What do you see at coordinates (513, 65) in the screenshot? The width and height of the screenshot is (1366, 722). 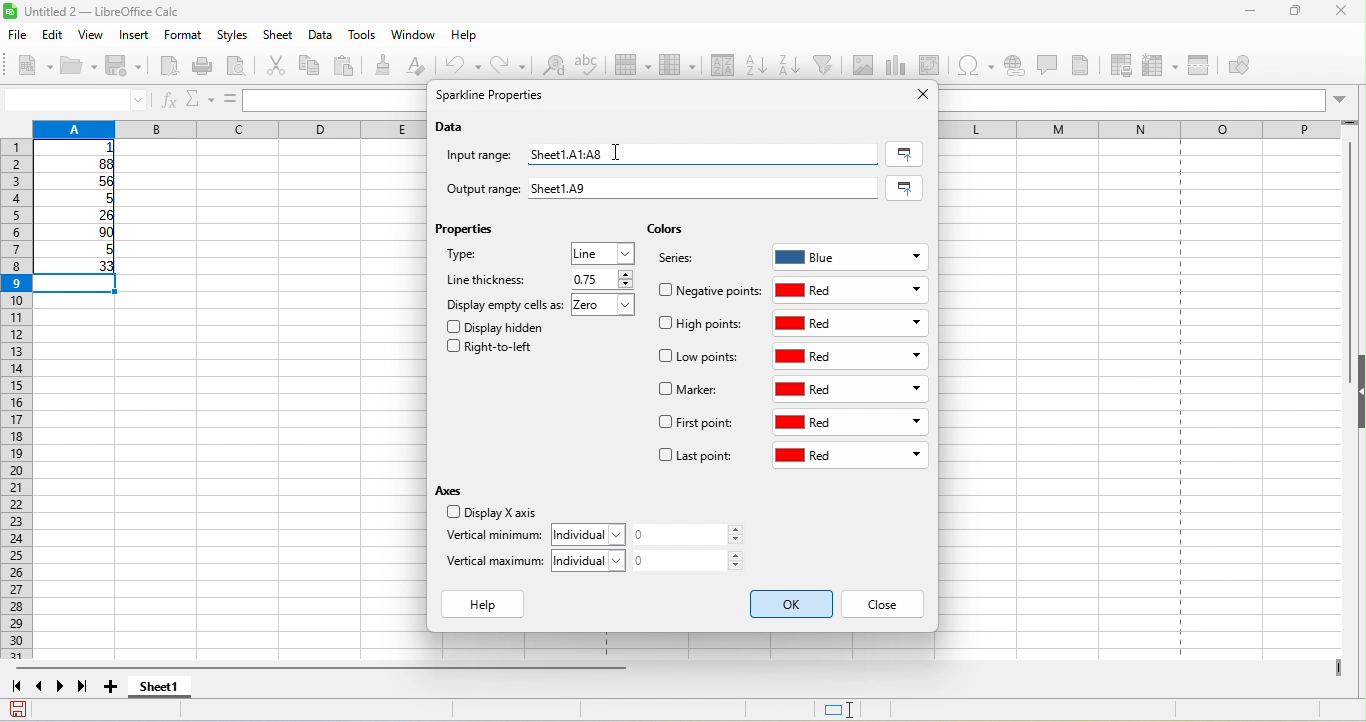 I see `redo` at bounding box center [513, 65].